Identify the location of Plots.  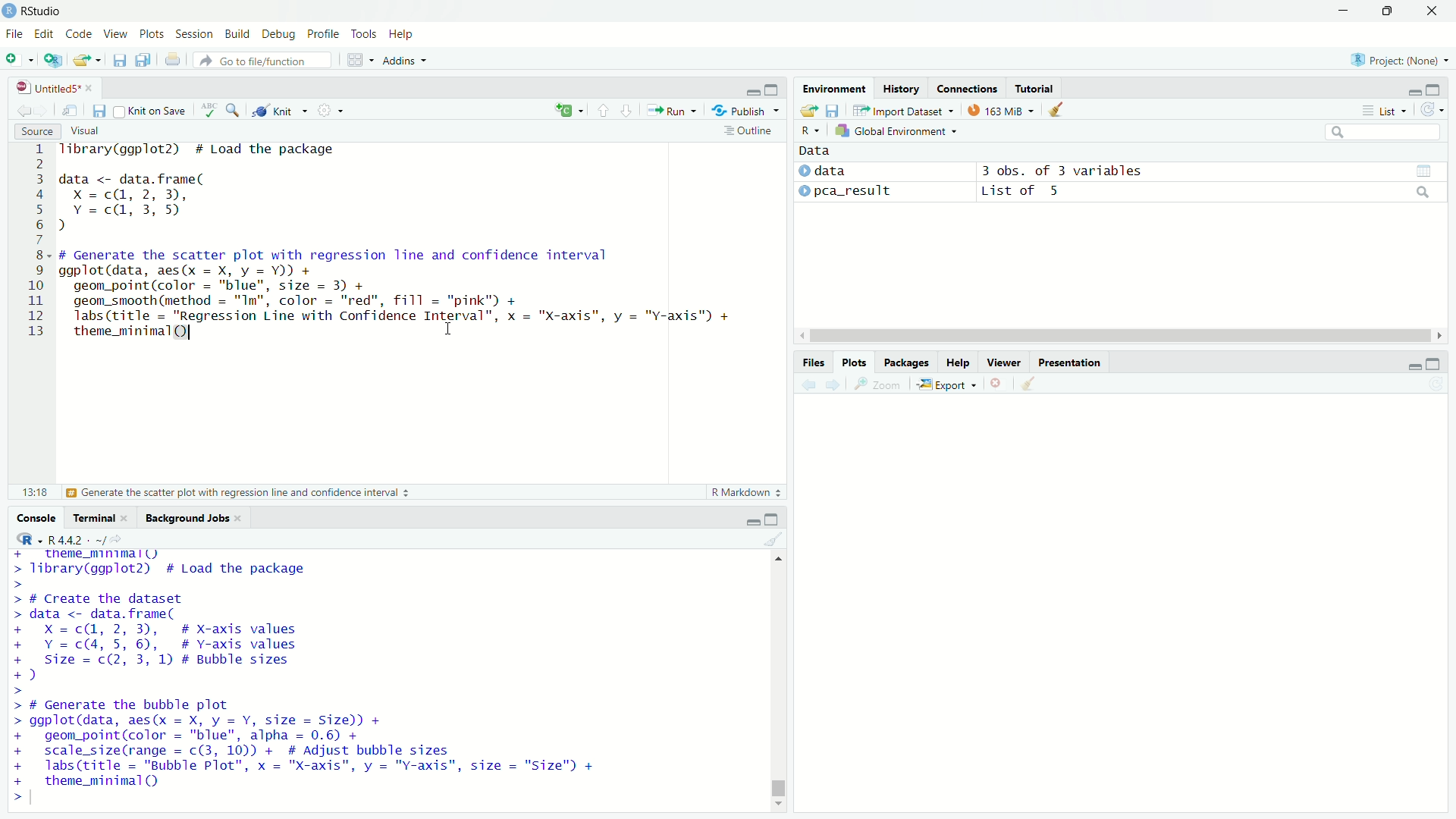
(151, 34).